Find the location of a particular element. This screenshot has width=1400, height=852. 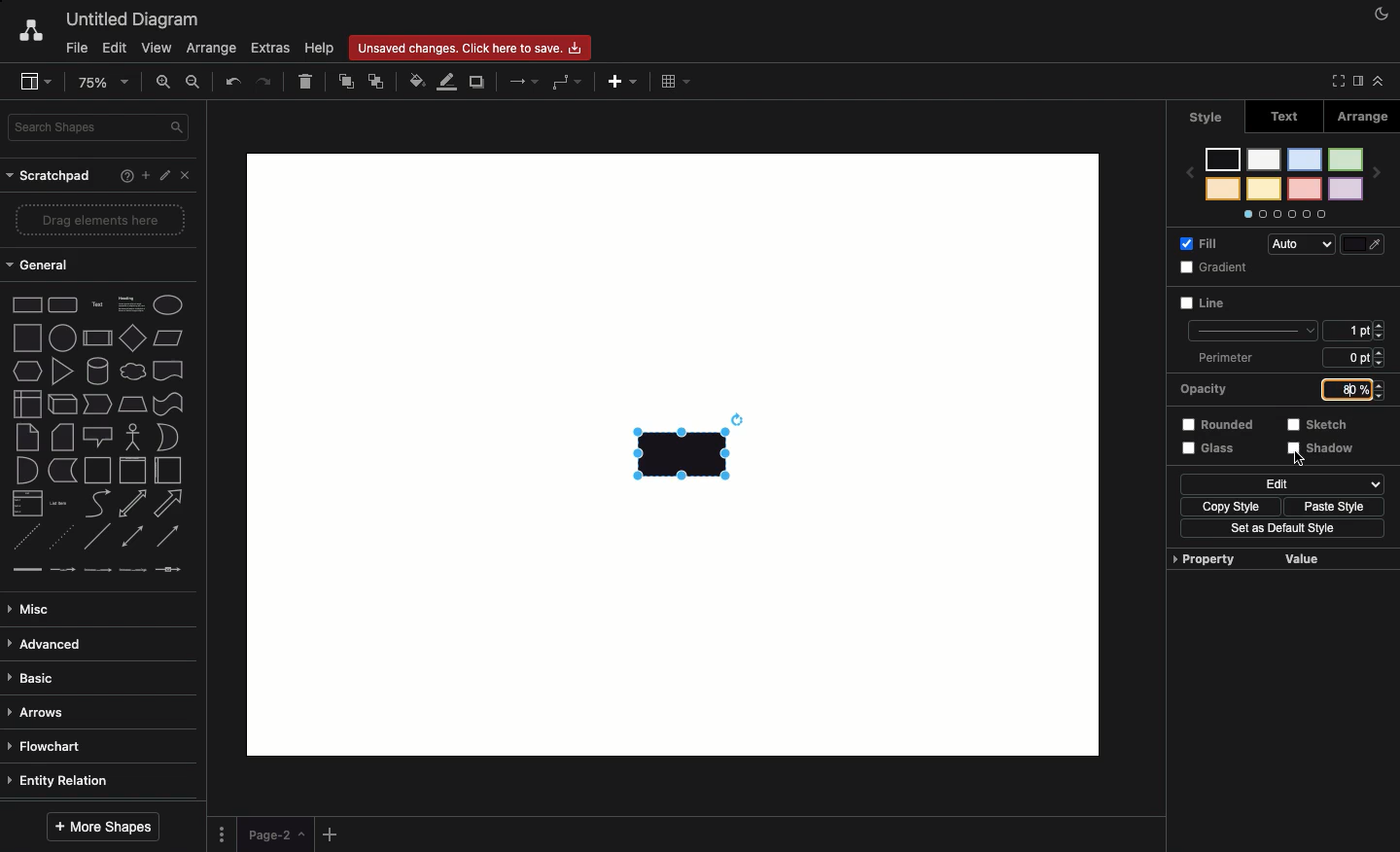

trapezoid is located at coordinates (129, 406).